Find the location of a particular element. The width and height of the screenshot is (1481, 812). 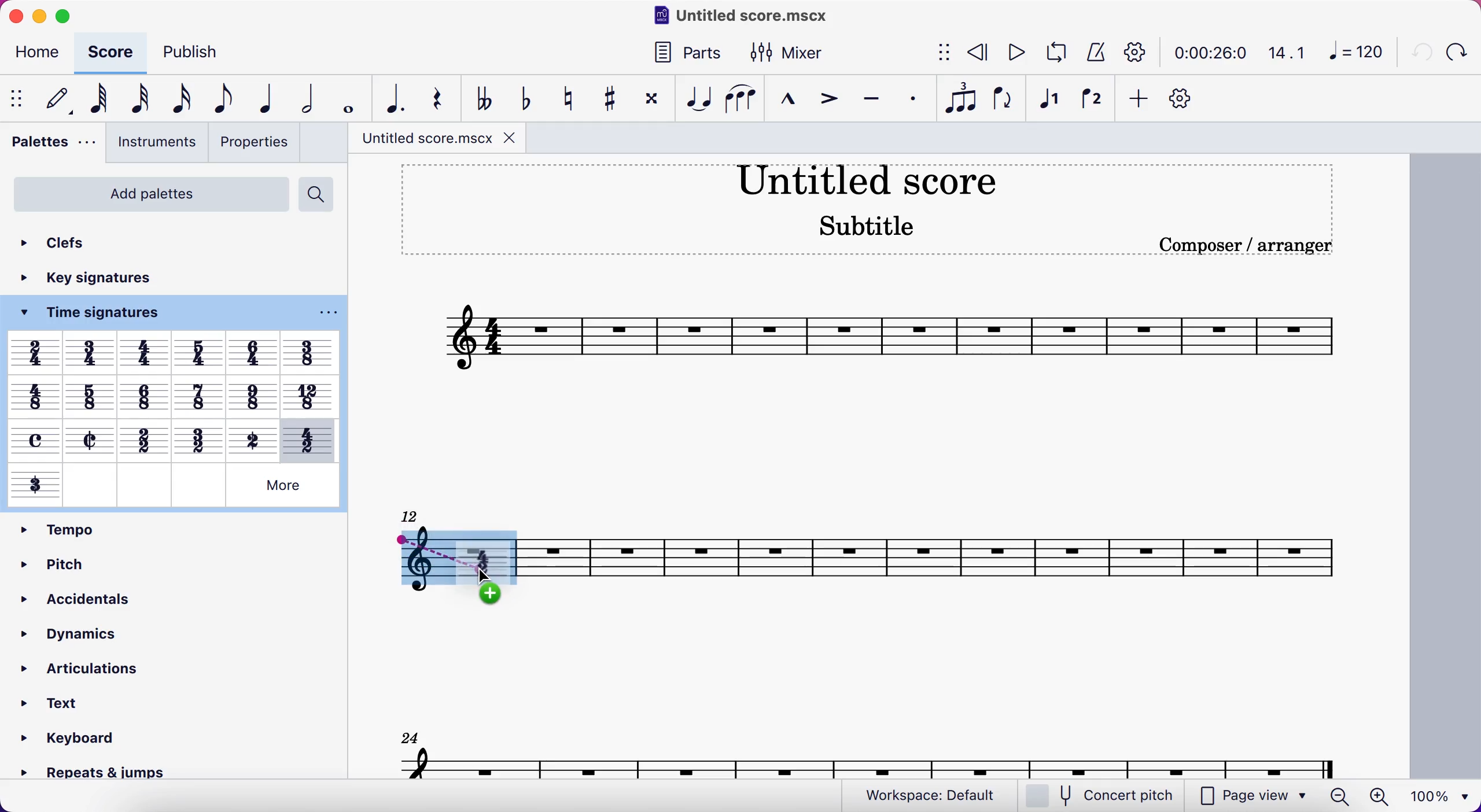

 is located at coordinates (310, 438).